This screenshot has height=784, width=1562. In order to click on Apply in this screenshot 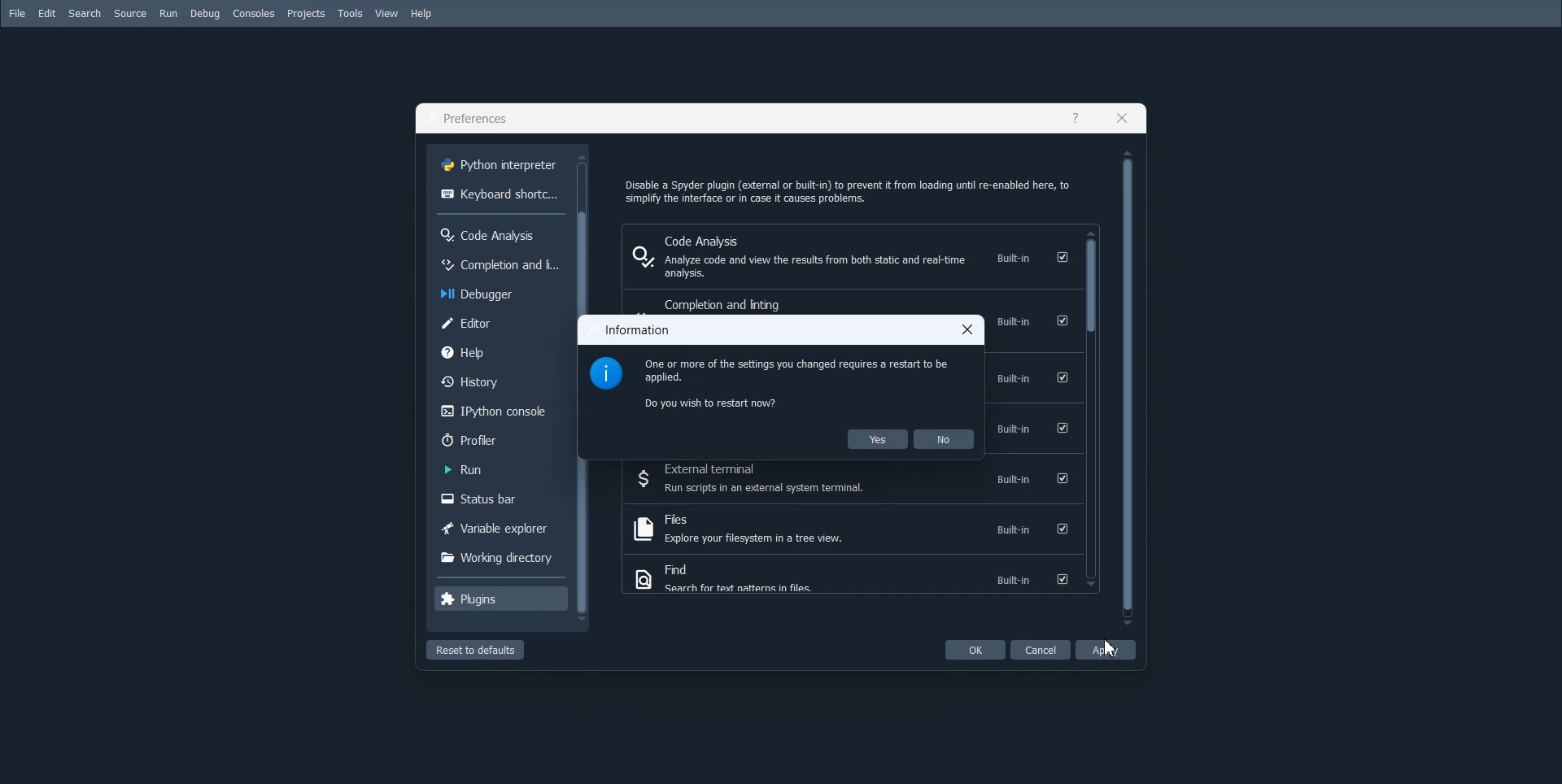, I will do `click(1106, 649)`.